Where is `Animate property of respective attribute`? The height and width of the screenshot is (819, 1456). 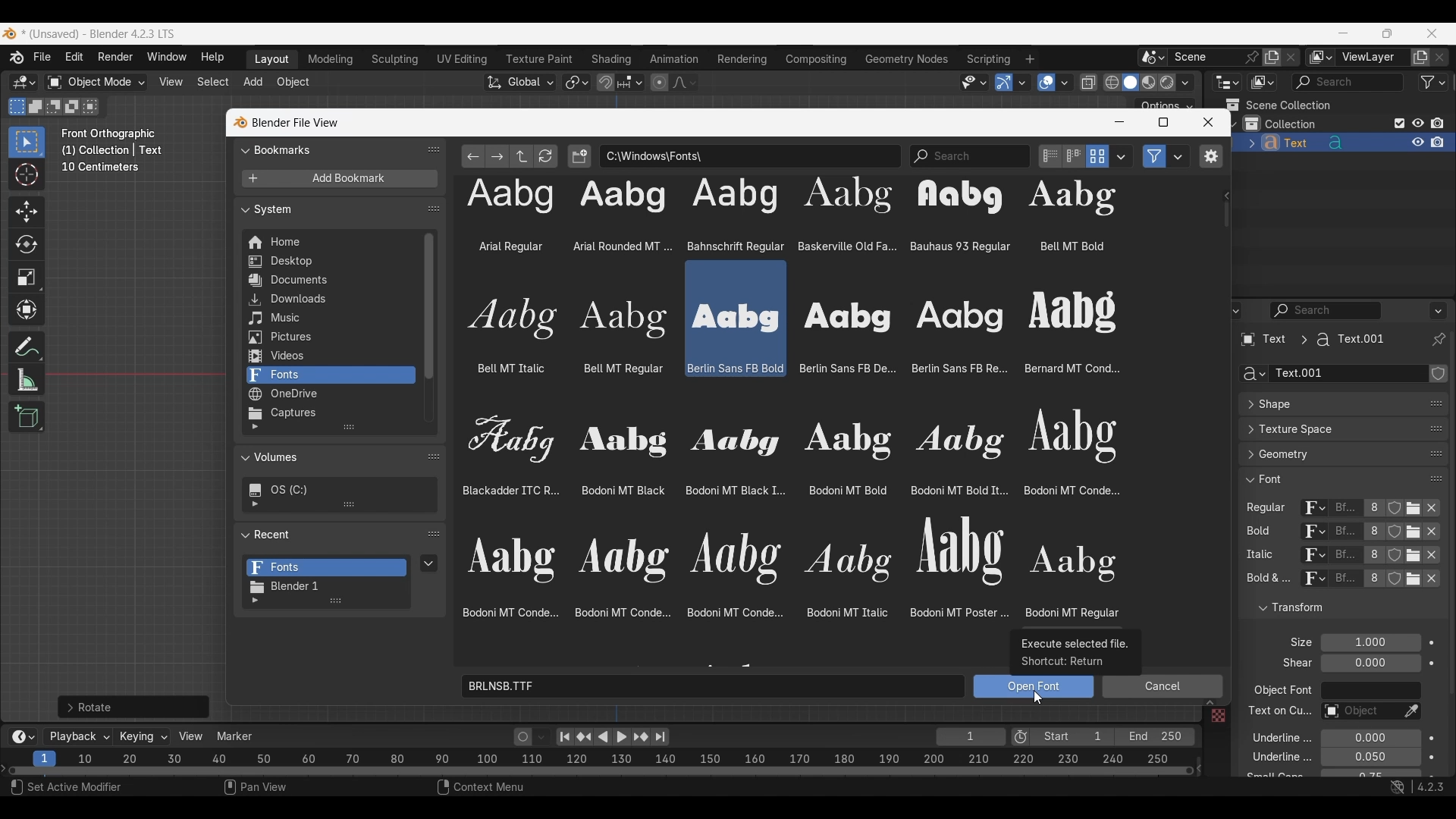
Animate property of respective attribute is located at coordinates (1432, 708).